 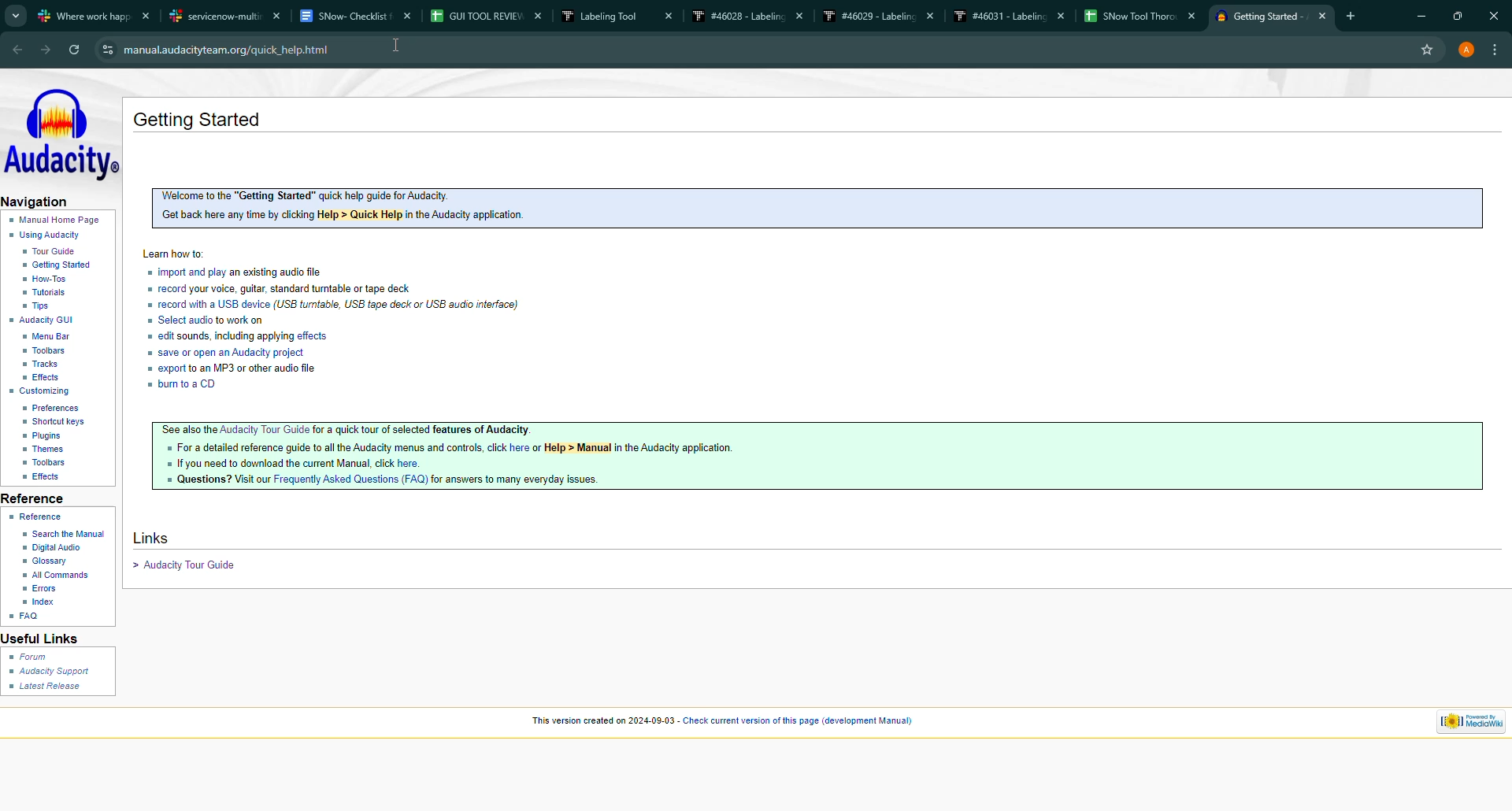 What do you see at coordinates (28, 617) in the screenshot?
I see `faq` at bounding box center [28, 617].